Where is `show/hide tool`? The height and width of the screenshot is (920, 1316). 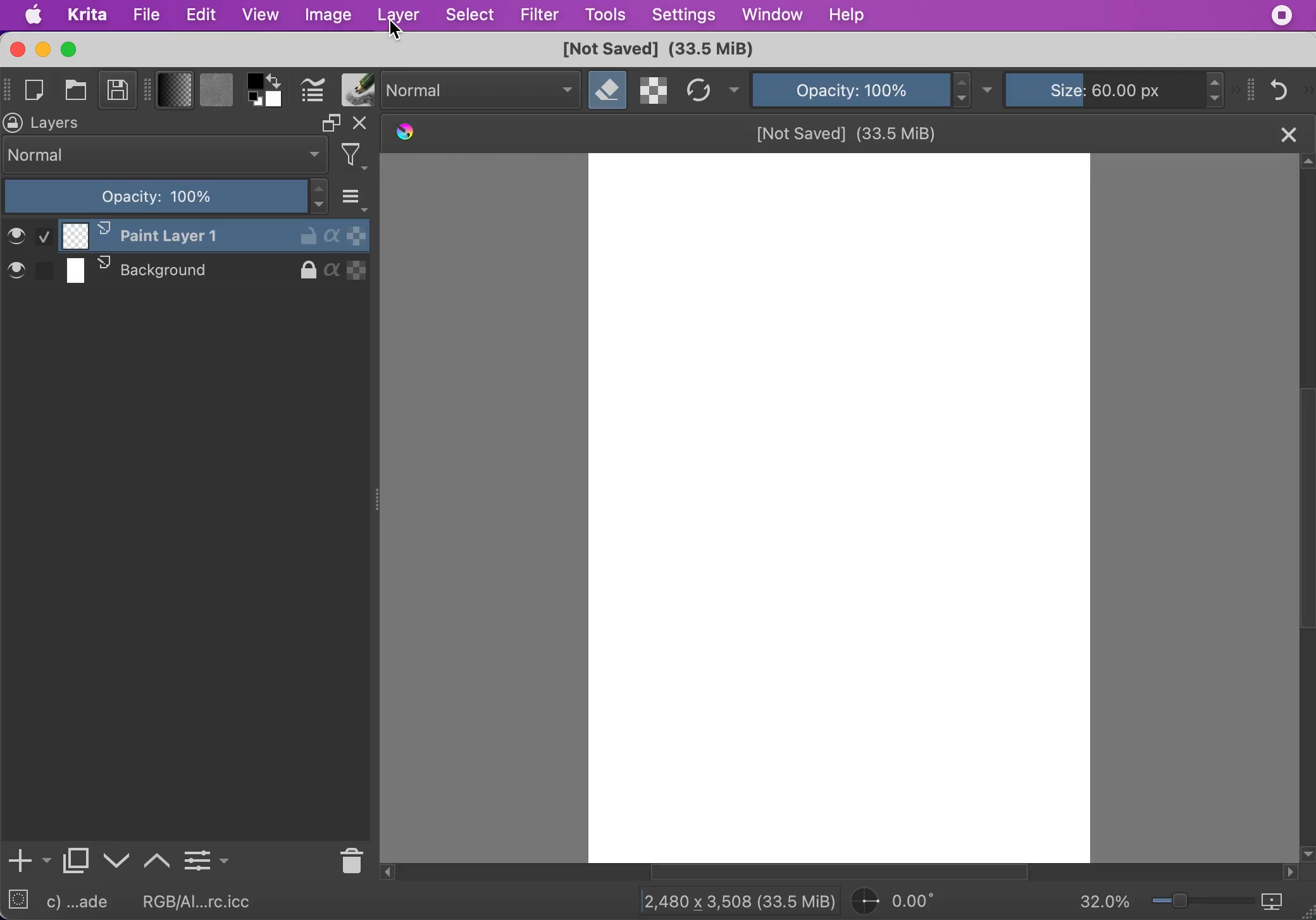 show/hide tool is located at coordinates (150, 88).